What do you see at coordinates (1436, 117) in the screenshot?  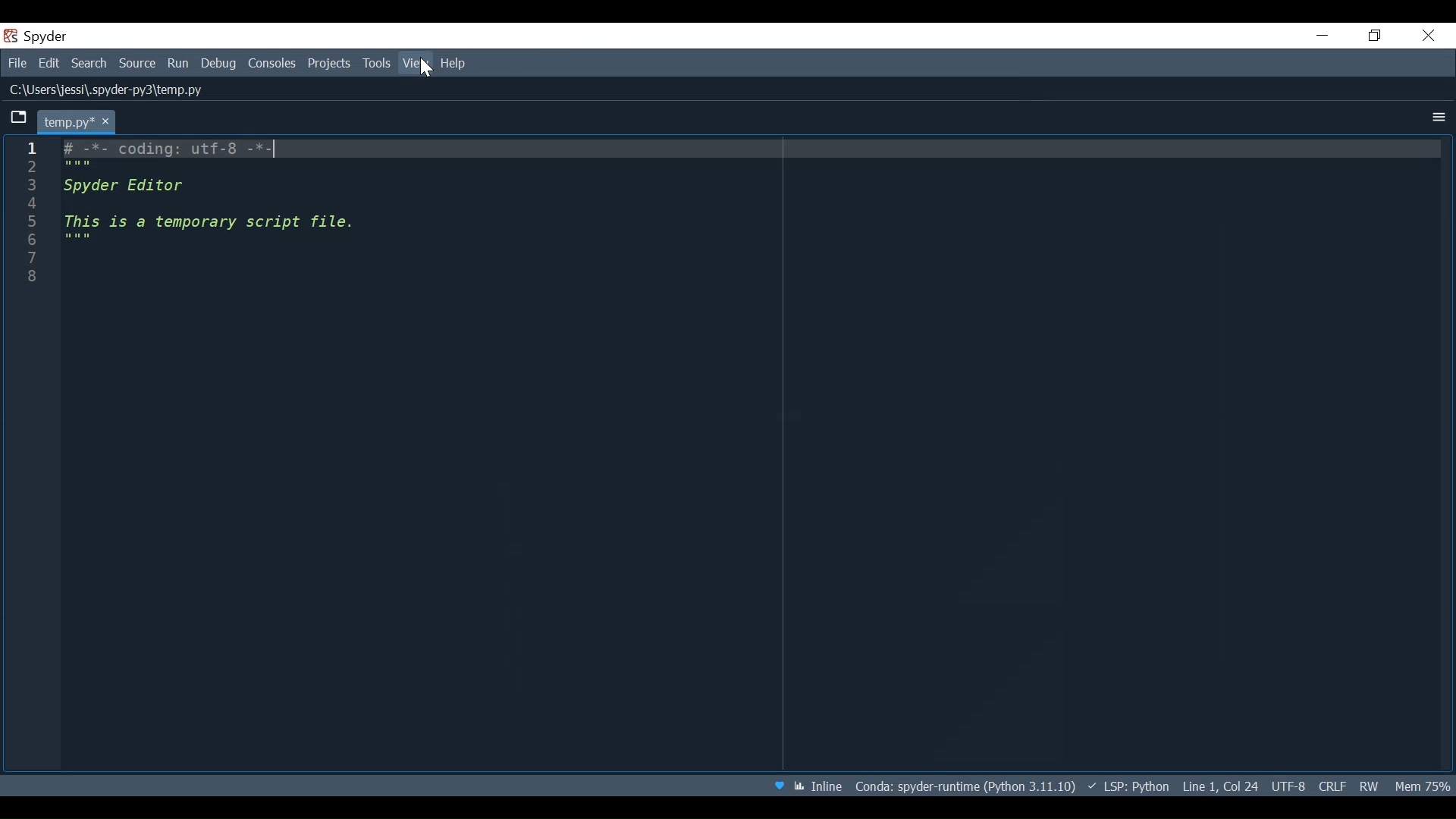 I see `Options` at bounding box center [1436, 117].